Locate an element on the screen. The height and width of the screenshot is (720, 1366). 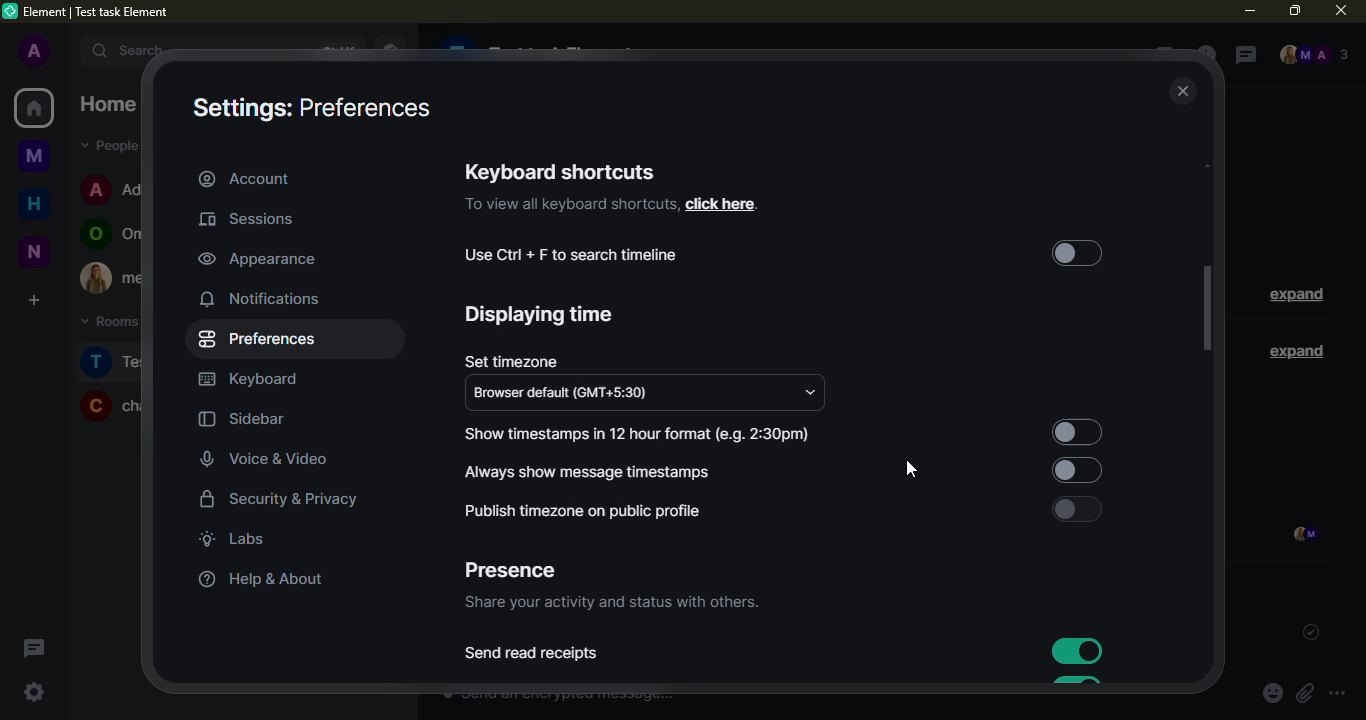
attach is located at coordinates (1304, 694).